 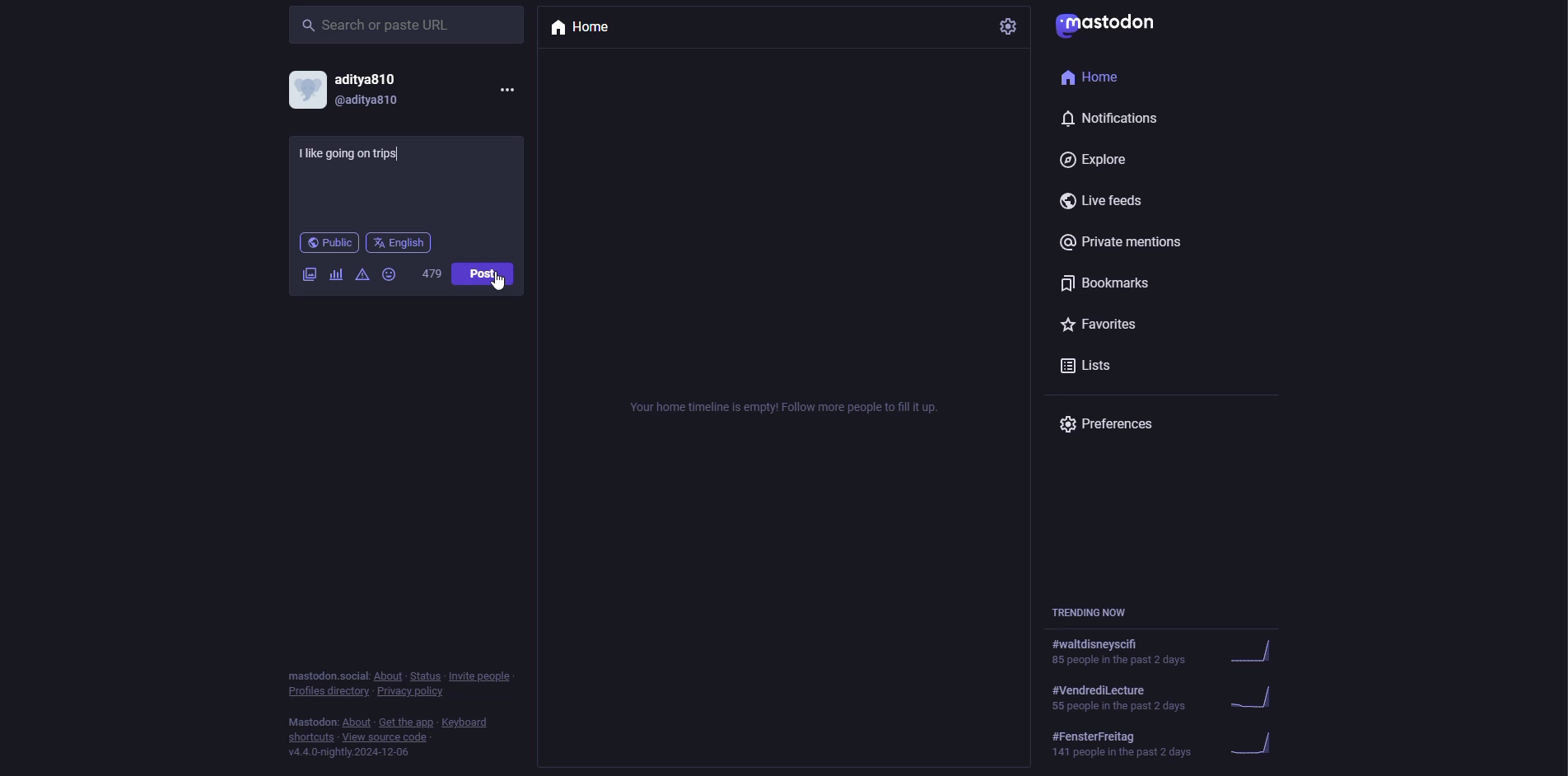 What do you see at coordinates (583, 27) in the screenshot?
I see `home` at bounding box center [583, 27].